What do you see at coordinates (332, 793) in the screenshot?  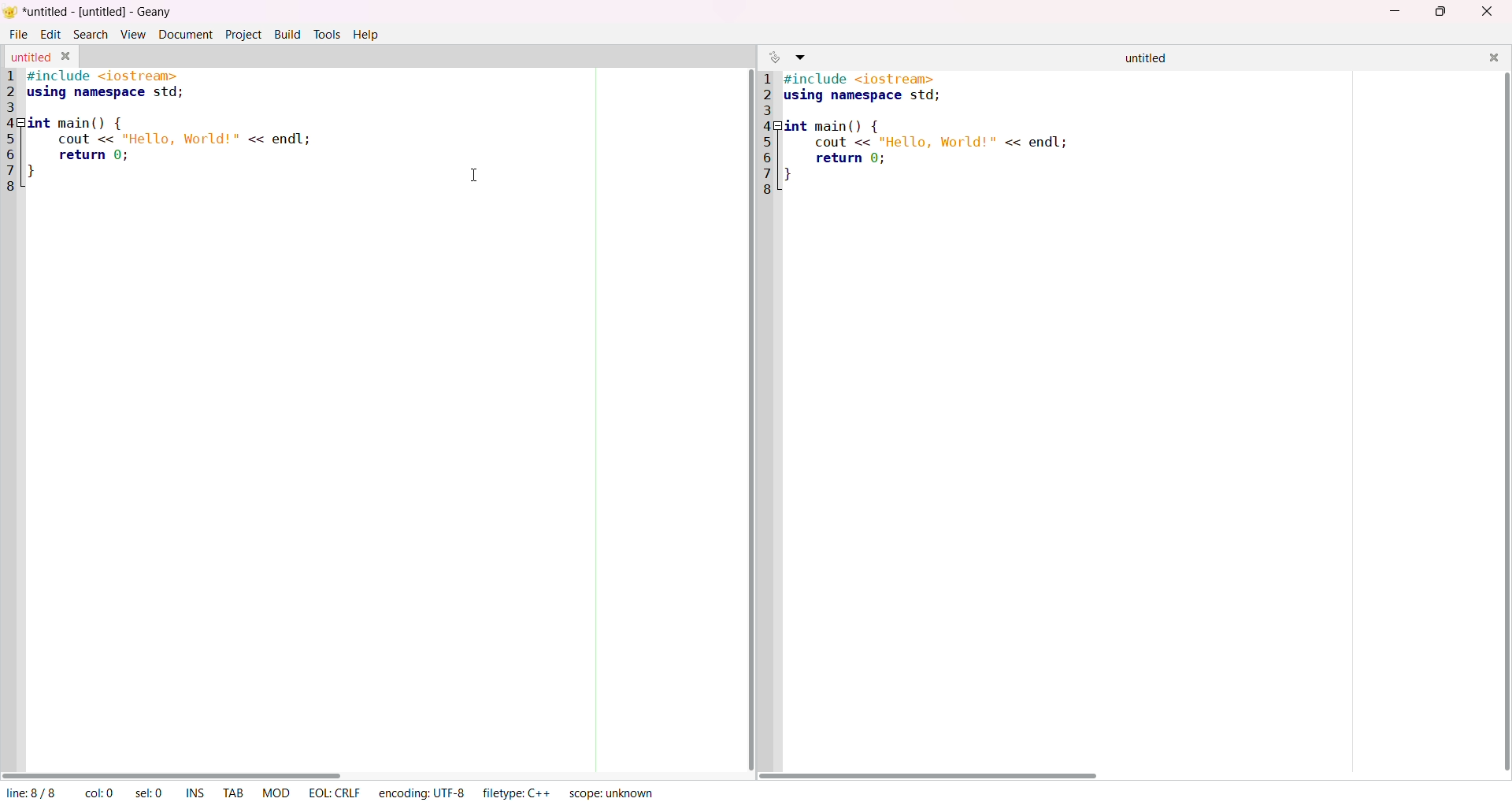 I see `EOL: CRLF` at bounding box center [332, 793].